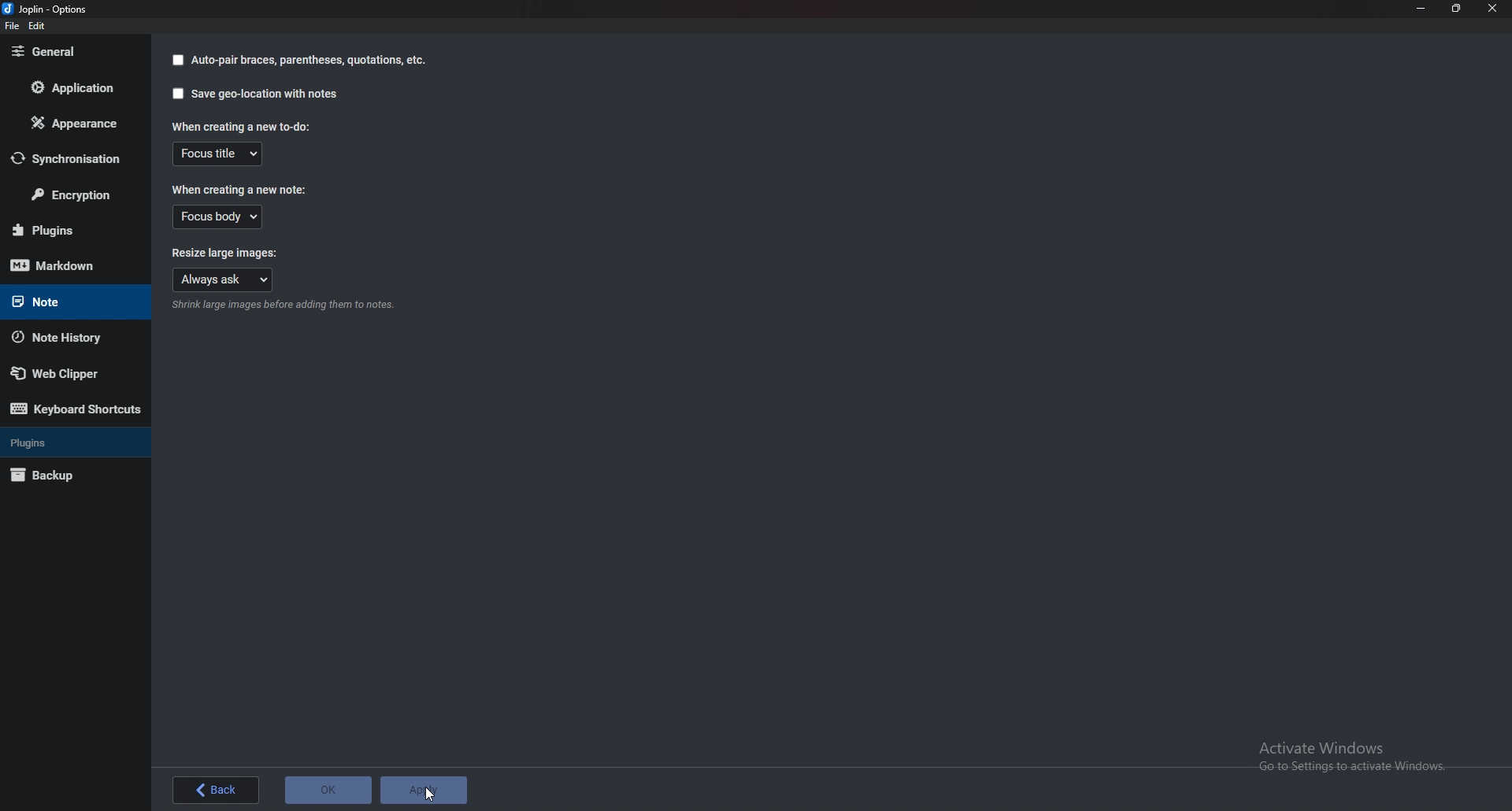 The width and height of the screenshot is (1512, 811). What do you see at coordinates (266, 94) in the screenshot?
I see `Save geo locations with notes` at bounding box center [266, 94].